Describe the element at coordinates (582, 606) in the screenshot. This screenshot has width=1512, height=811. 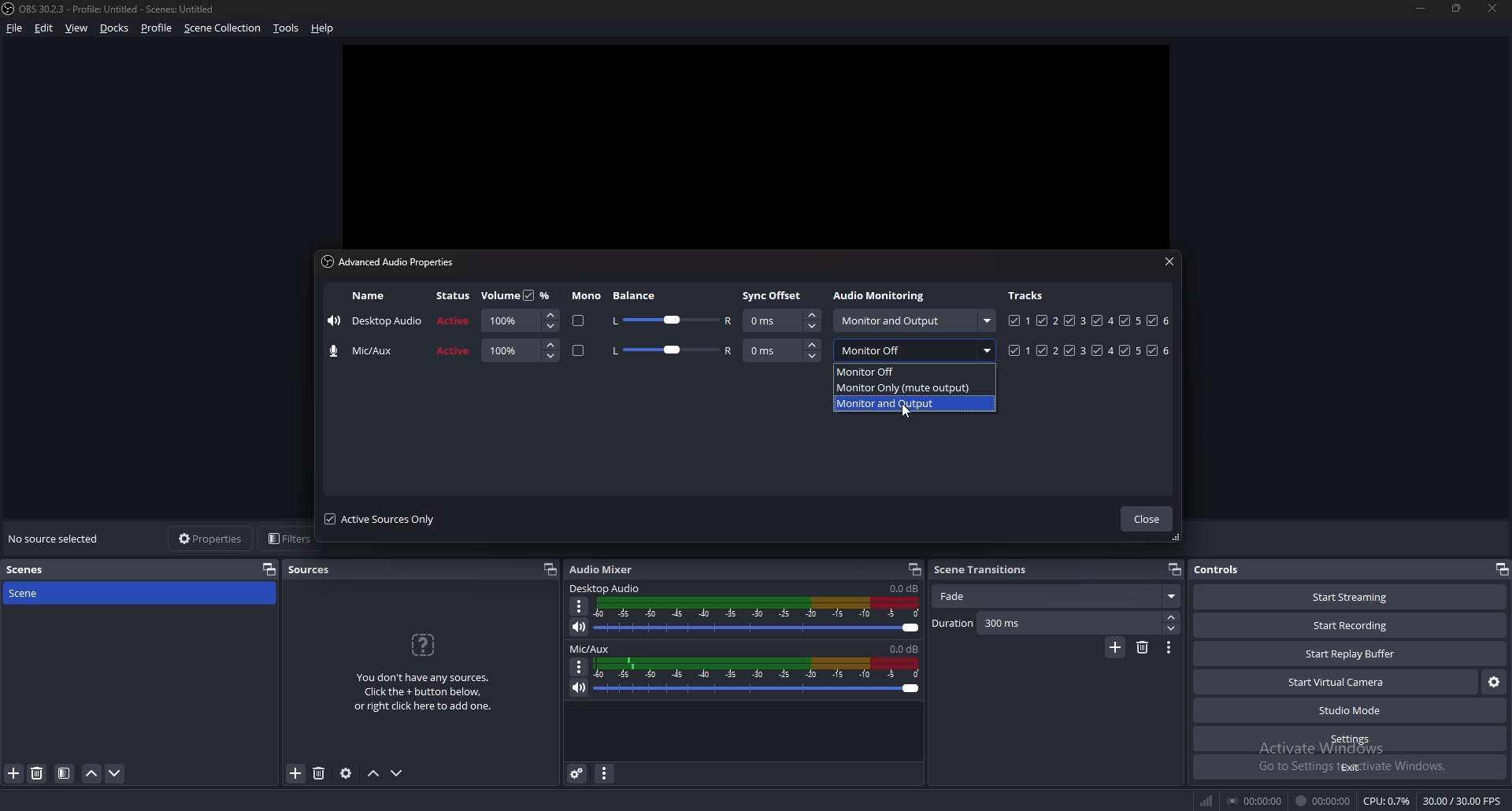
I see `options` at that location.